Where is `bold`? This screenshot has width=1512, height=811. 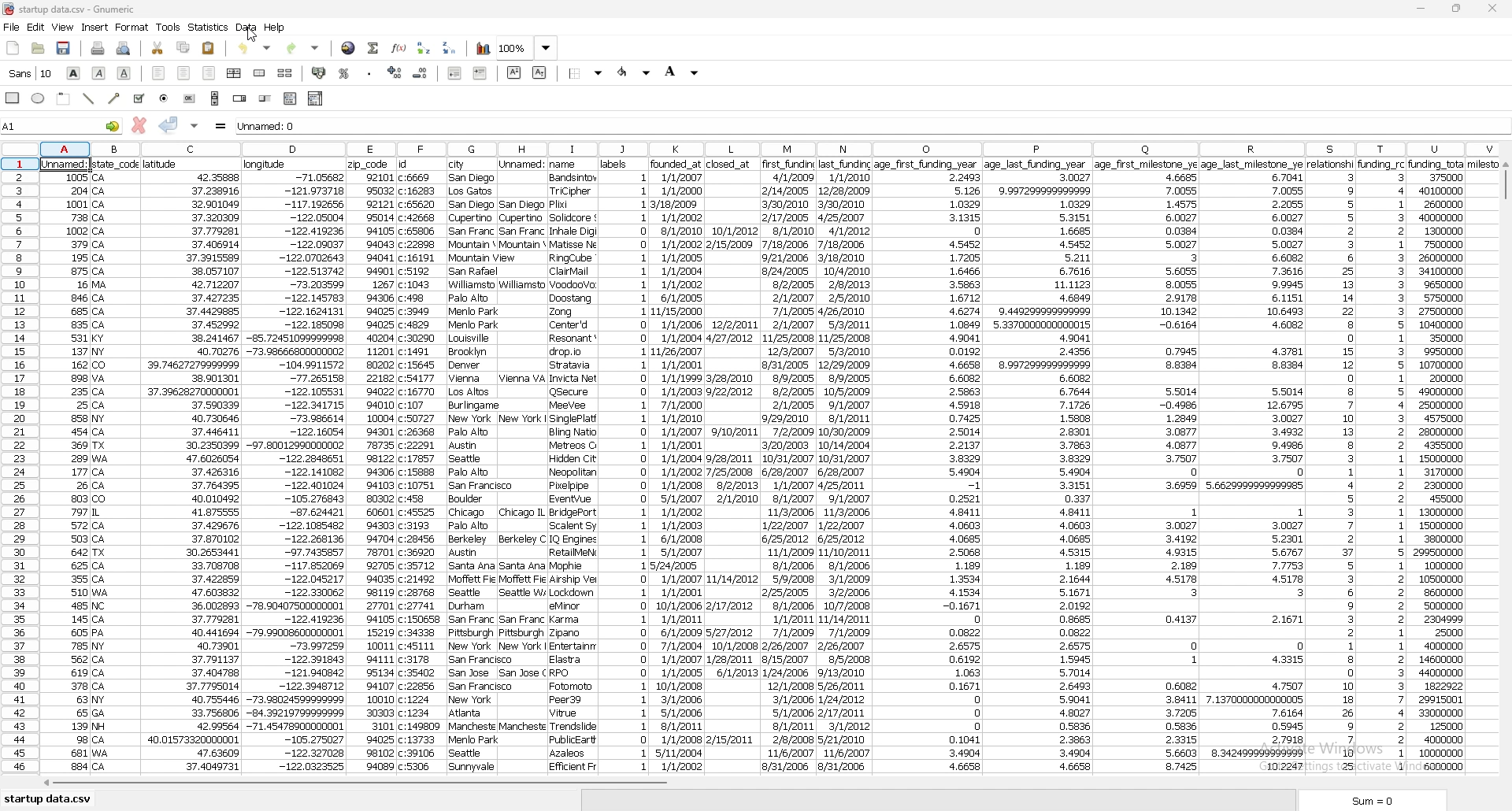 bold is located at coordinates (74, 73).